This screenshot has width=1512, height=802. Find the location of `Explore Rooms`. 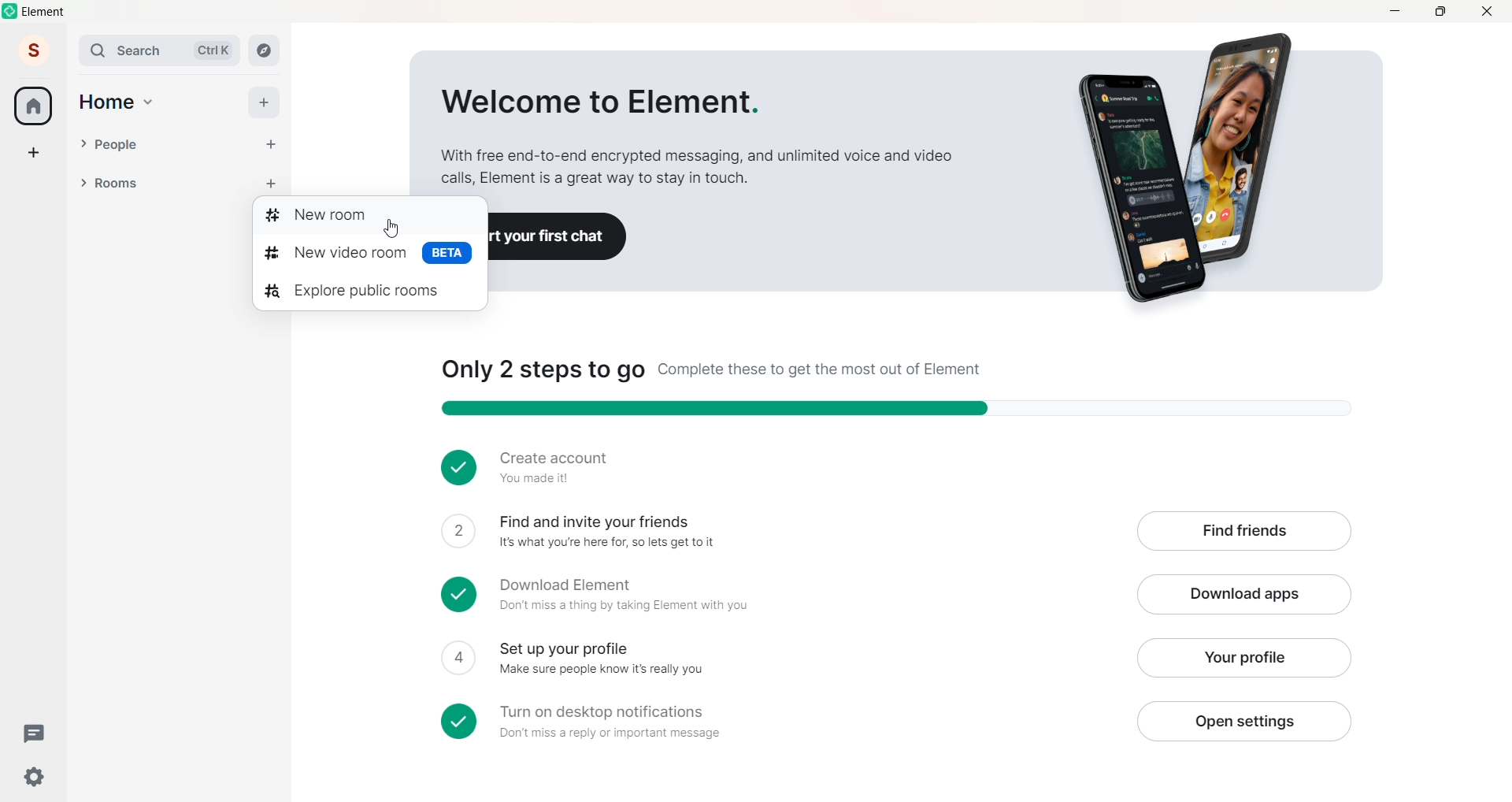

Explore Rooms is located at coordinates (265, 50).